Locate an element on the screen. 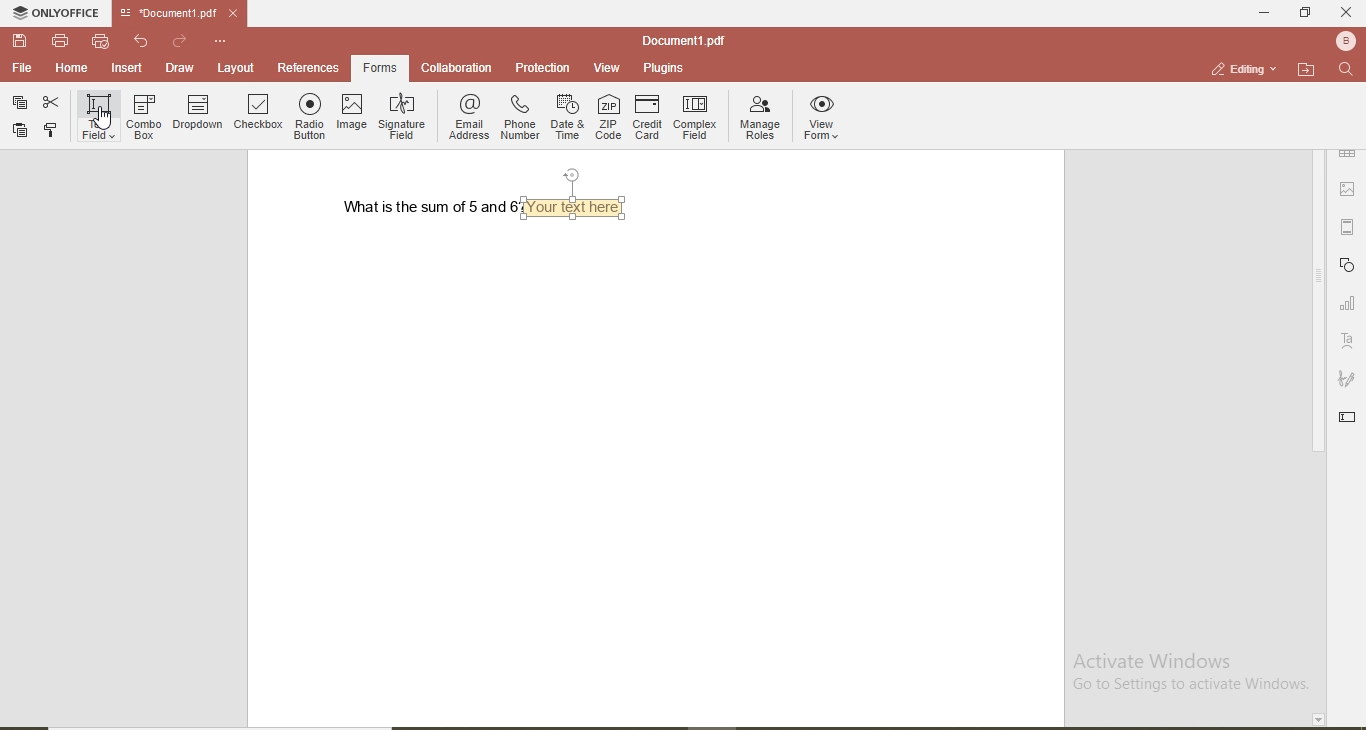 The image size is (1366, 730). text is located at coordinates (1350, 338).